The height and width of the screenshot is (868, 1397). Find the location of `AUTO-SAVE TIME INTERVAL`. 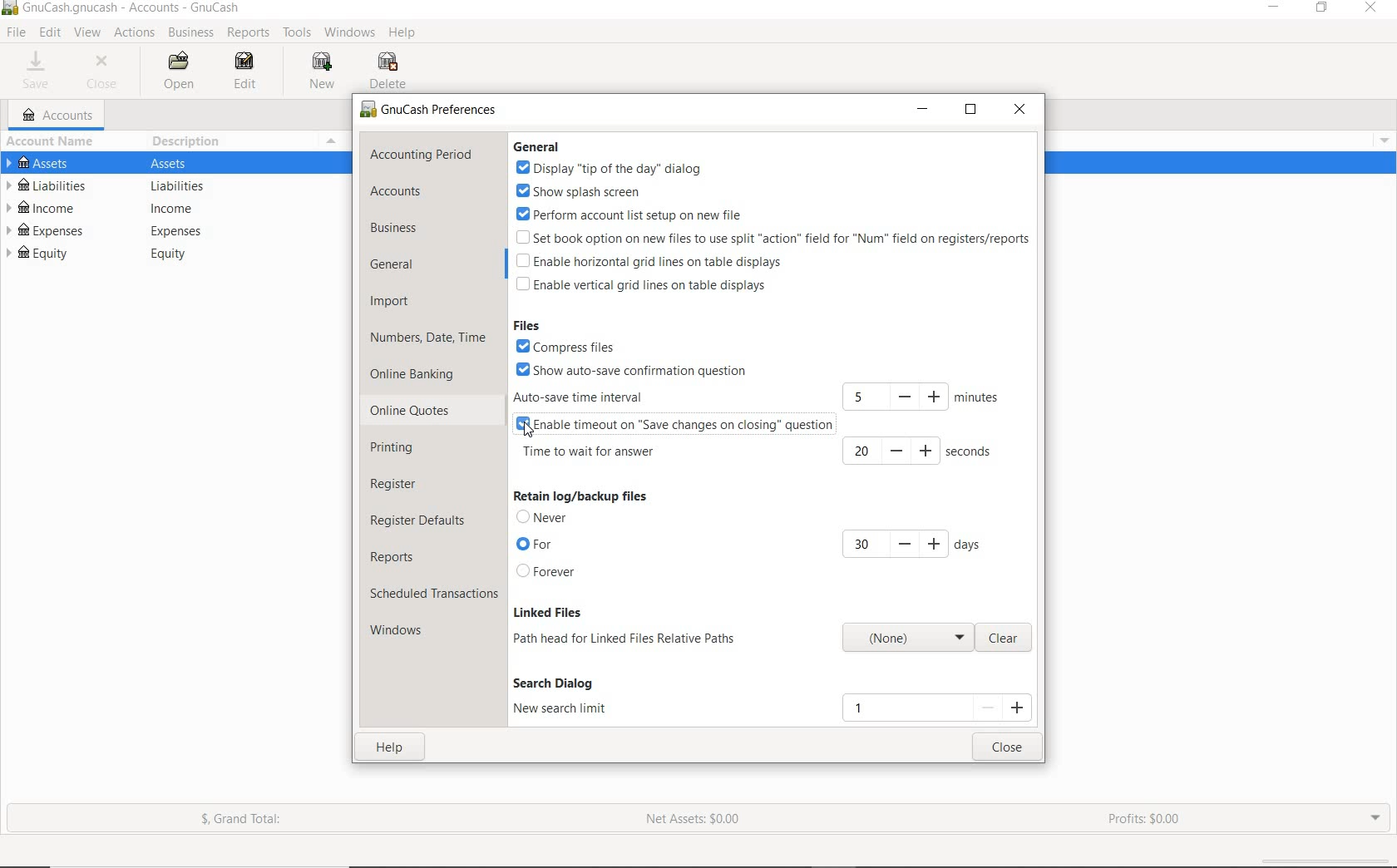

AUTO-SAVE TIME INTERVAL is located at coordinates (609, 398).